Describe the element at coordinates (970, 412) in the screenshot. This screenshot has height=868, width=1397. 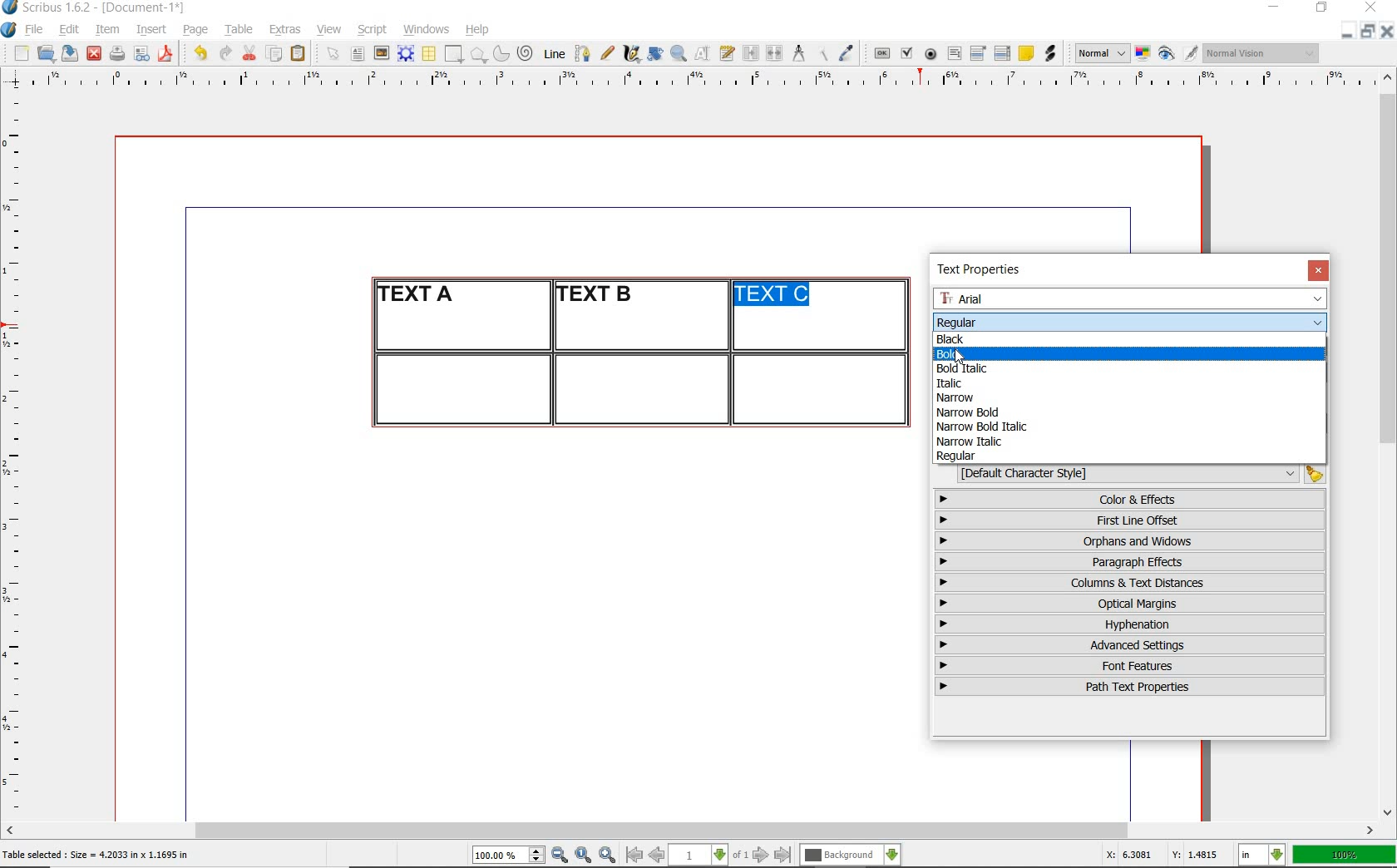
I see `narrow bold` at that location.